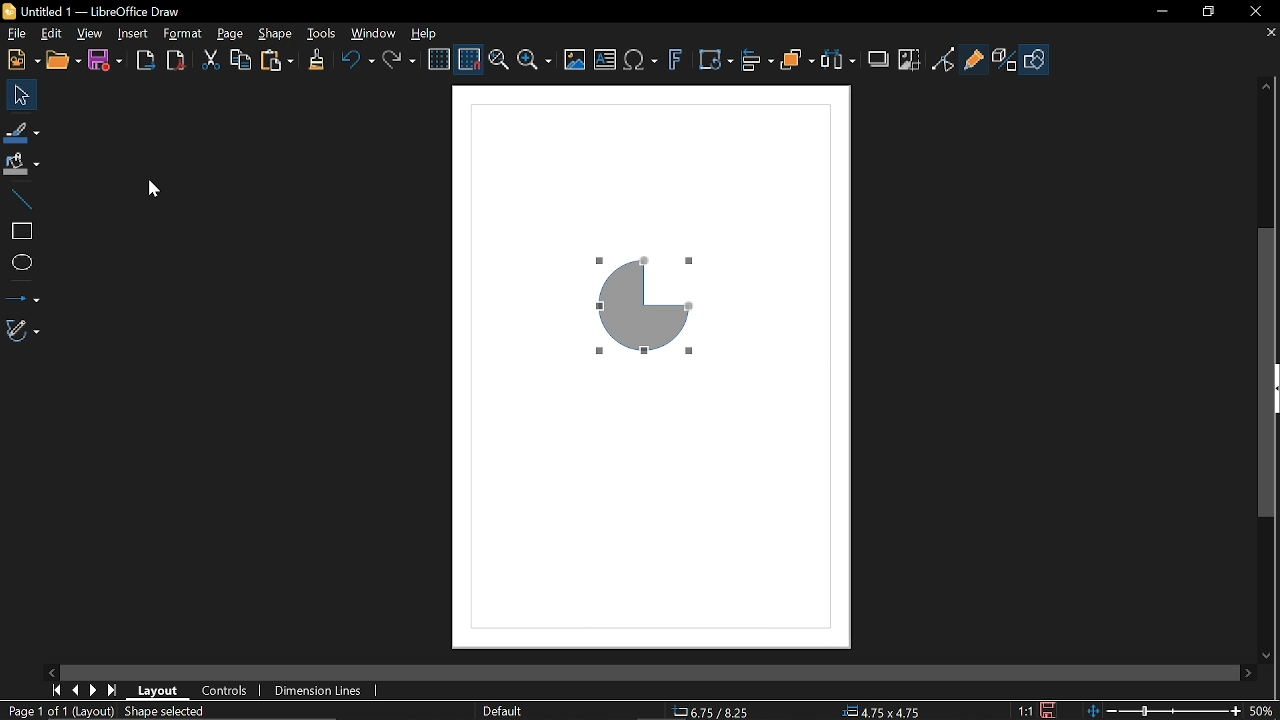  Describe the element at coordinates (756, 62) in the screenshot. I see `Align` at that location.